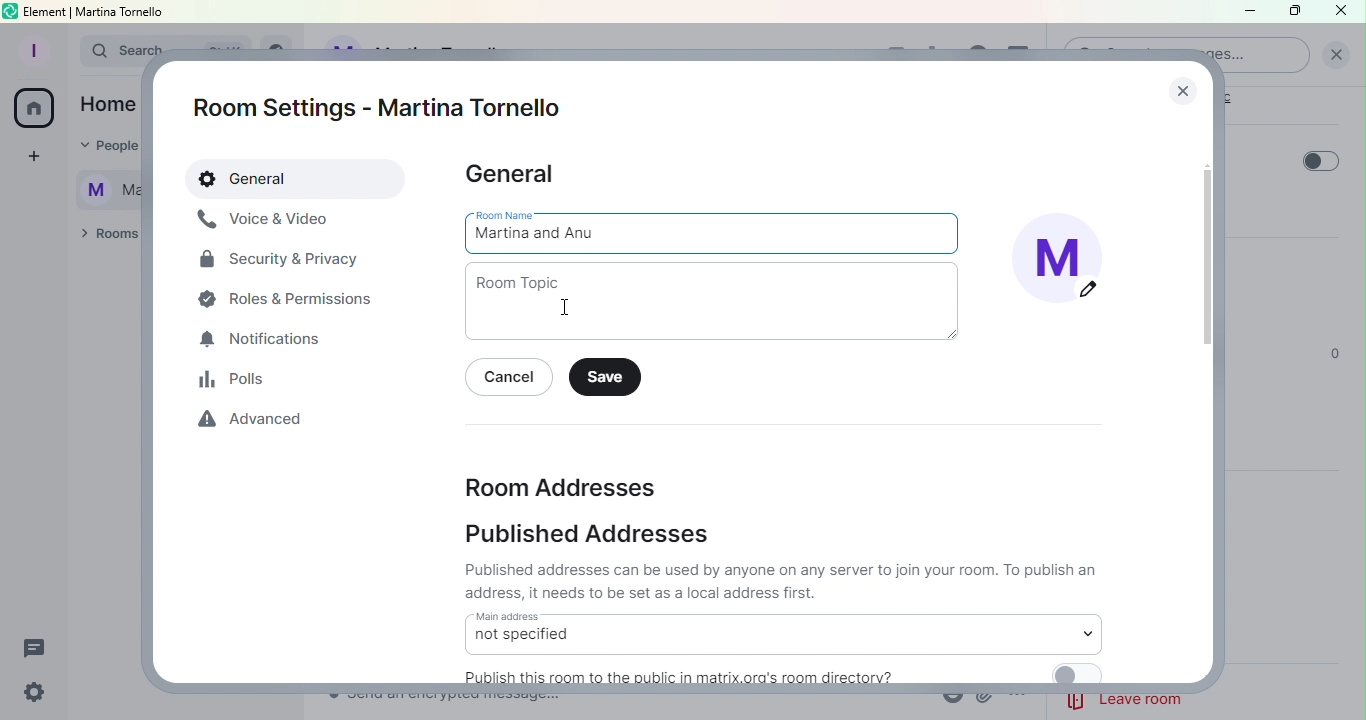 The width and height of the screenshot is (1366, 720). I want to click on Room addresses, so click(560, 485).